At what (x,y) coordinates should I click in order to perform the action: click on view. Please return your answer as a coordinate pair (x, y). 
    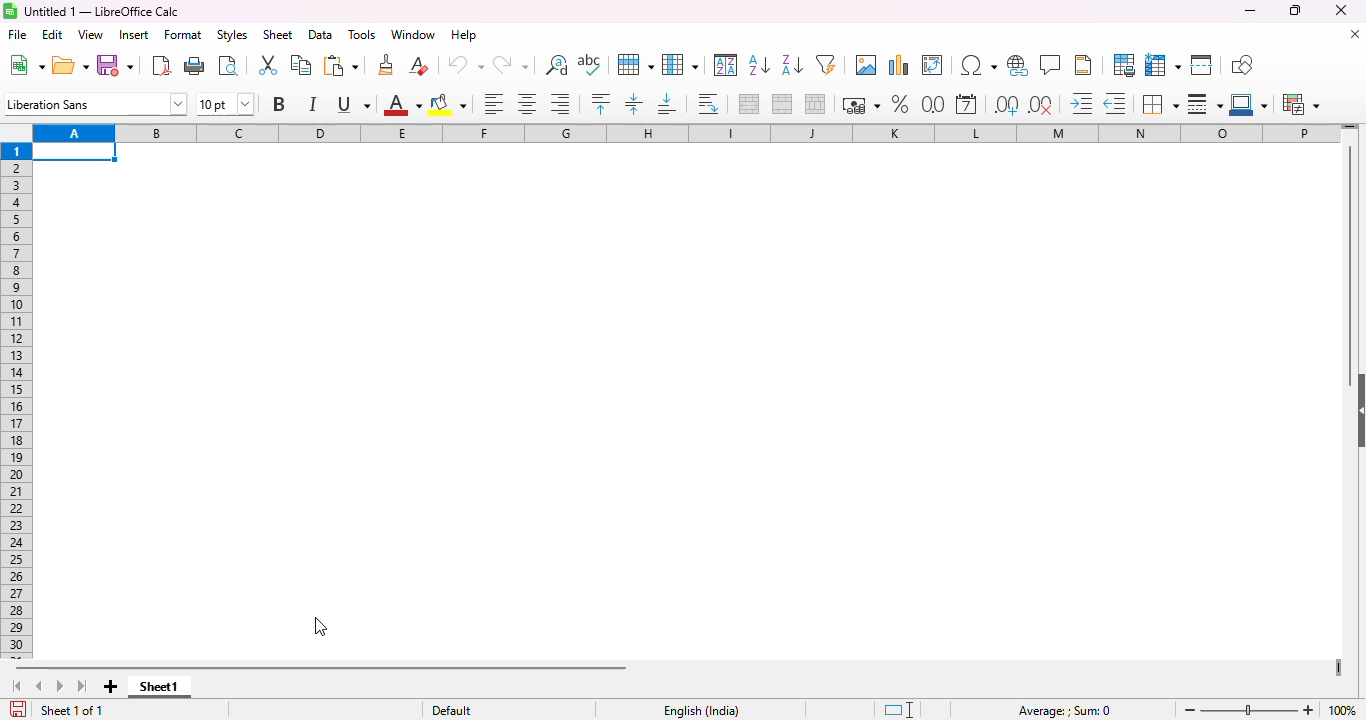
    Looking at the image, I should click on (90, 34).